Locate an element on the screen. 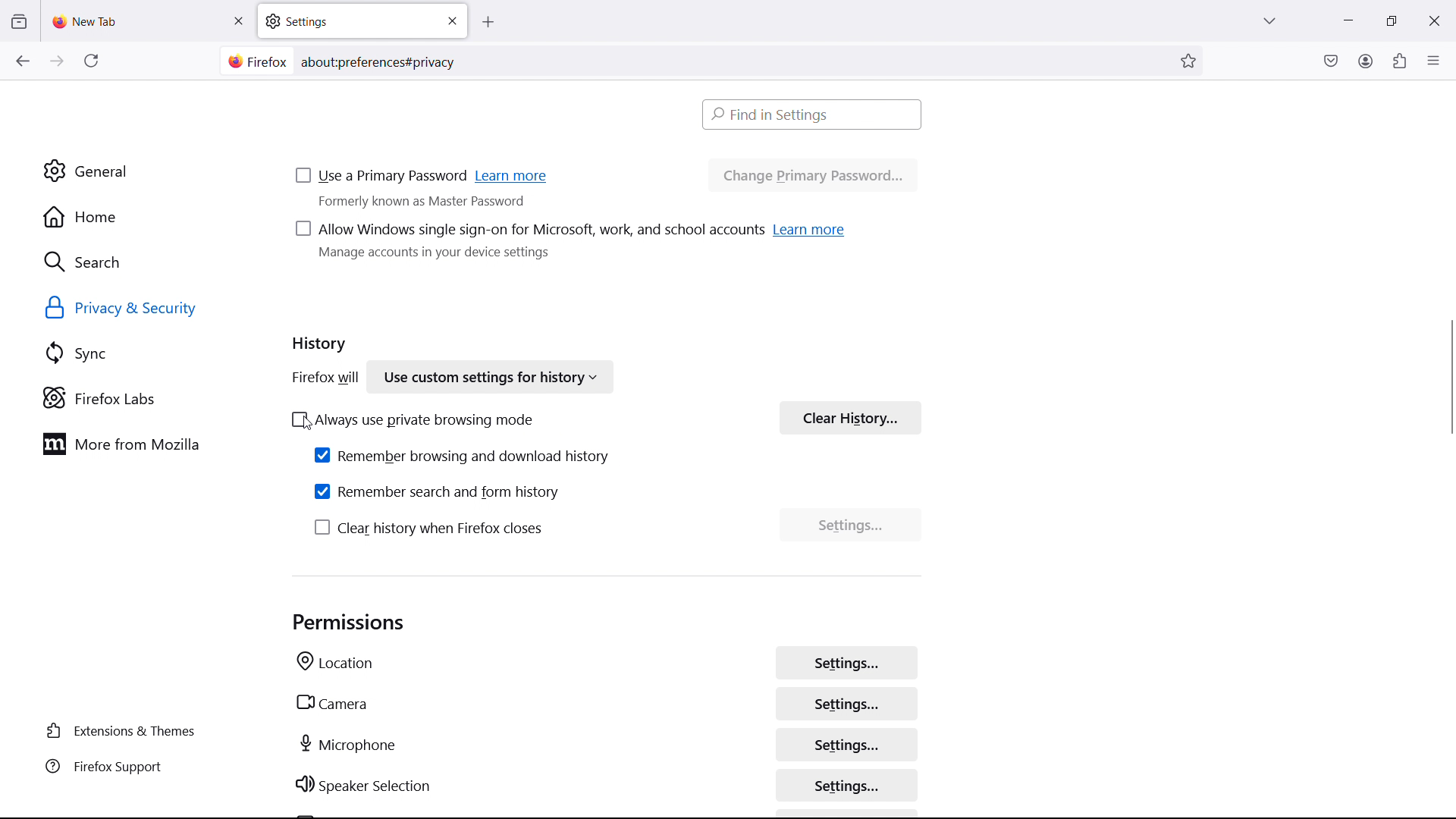  use a primary password checkbox is located at coordinates (381, 177).